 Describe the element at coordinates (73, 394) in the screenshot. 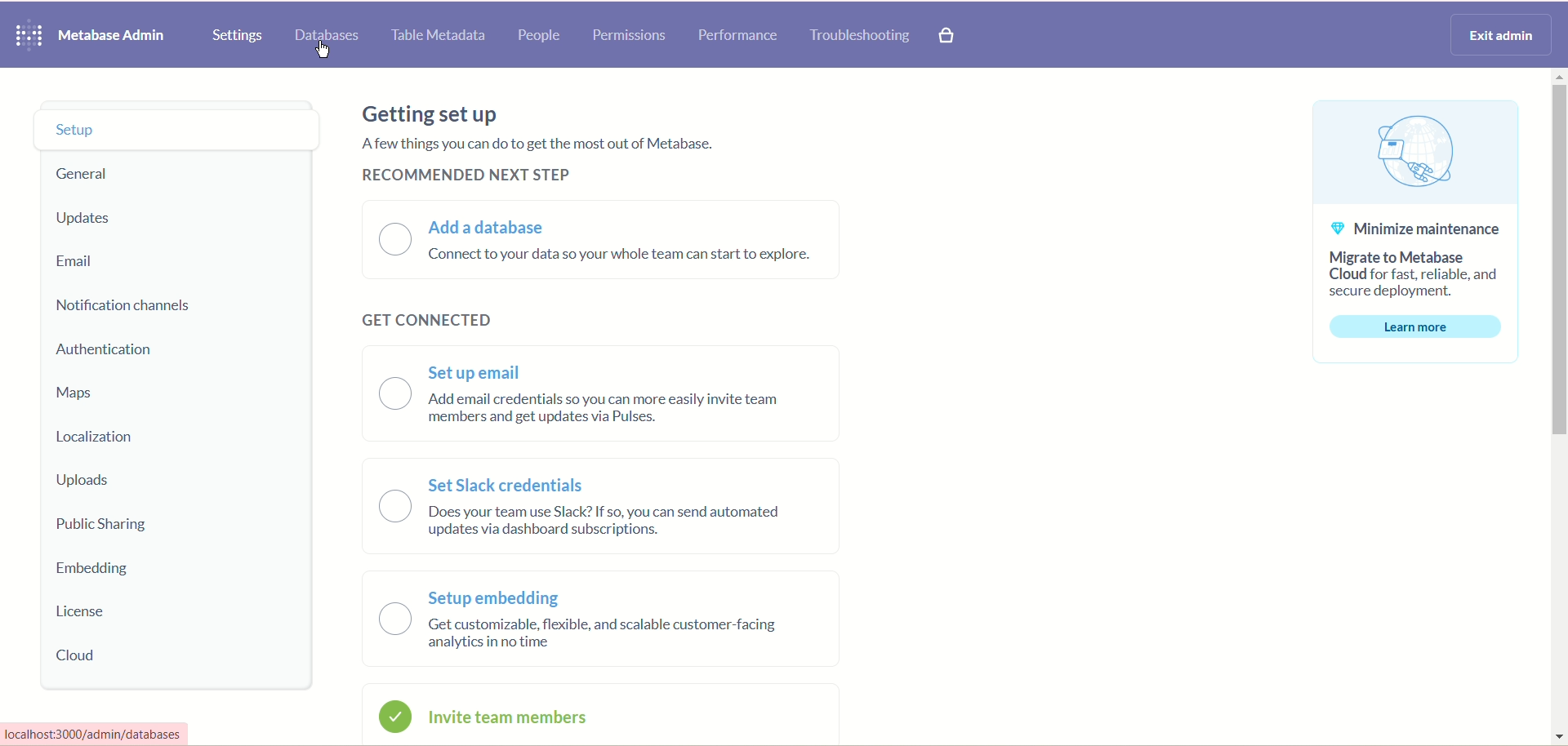

I see `maps` at that location.